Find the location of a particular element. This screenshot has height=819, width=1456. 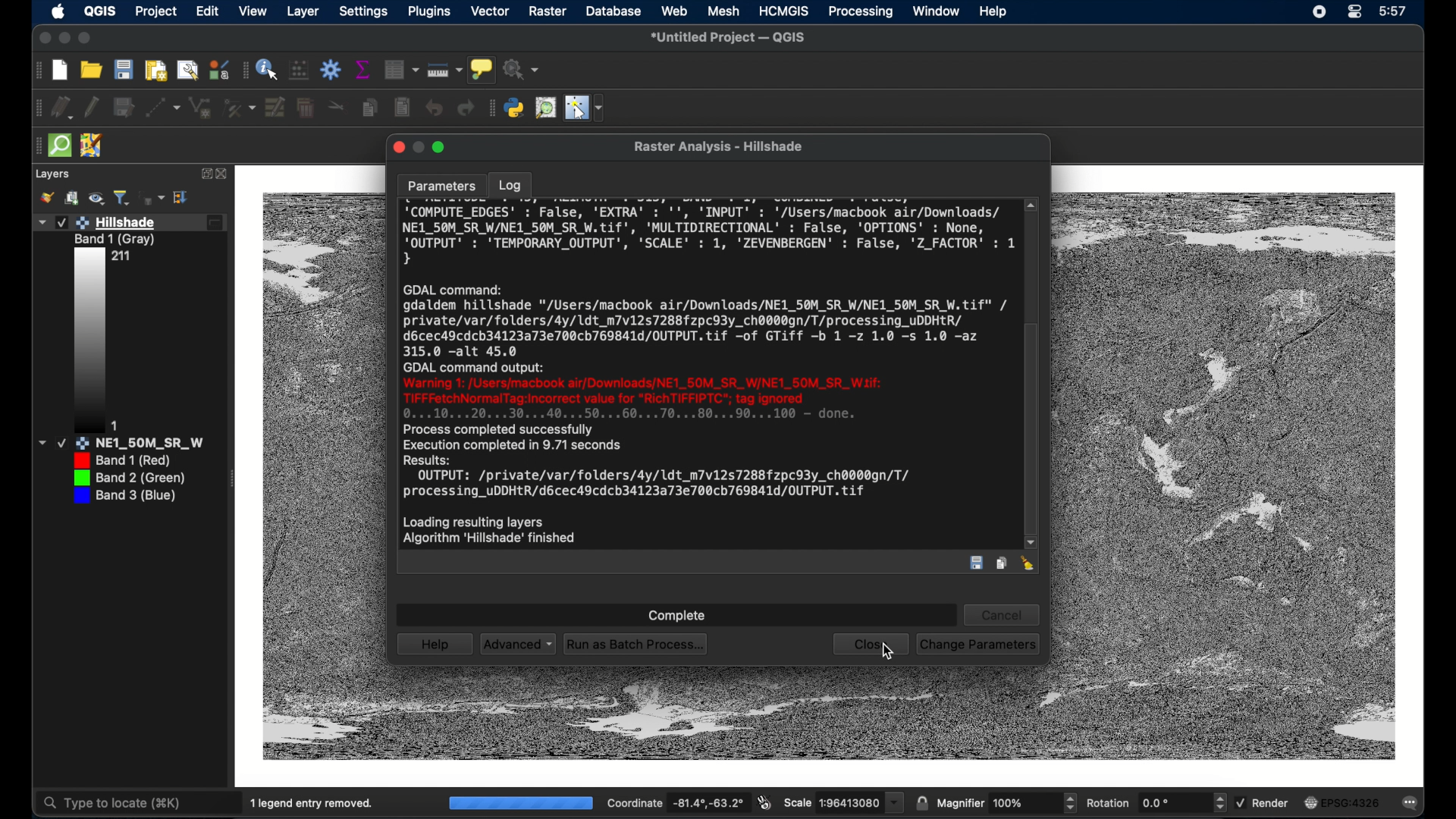

show map tips is located at coordinates (482, 69).